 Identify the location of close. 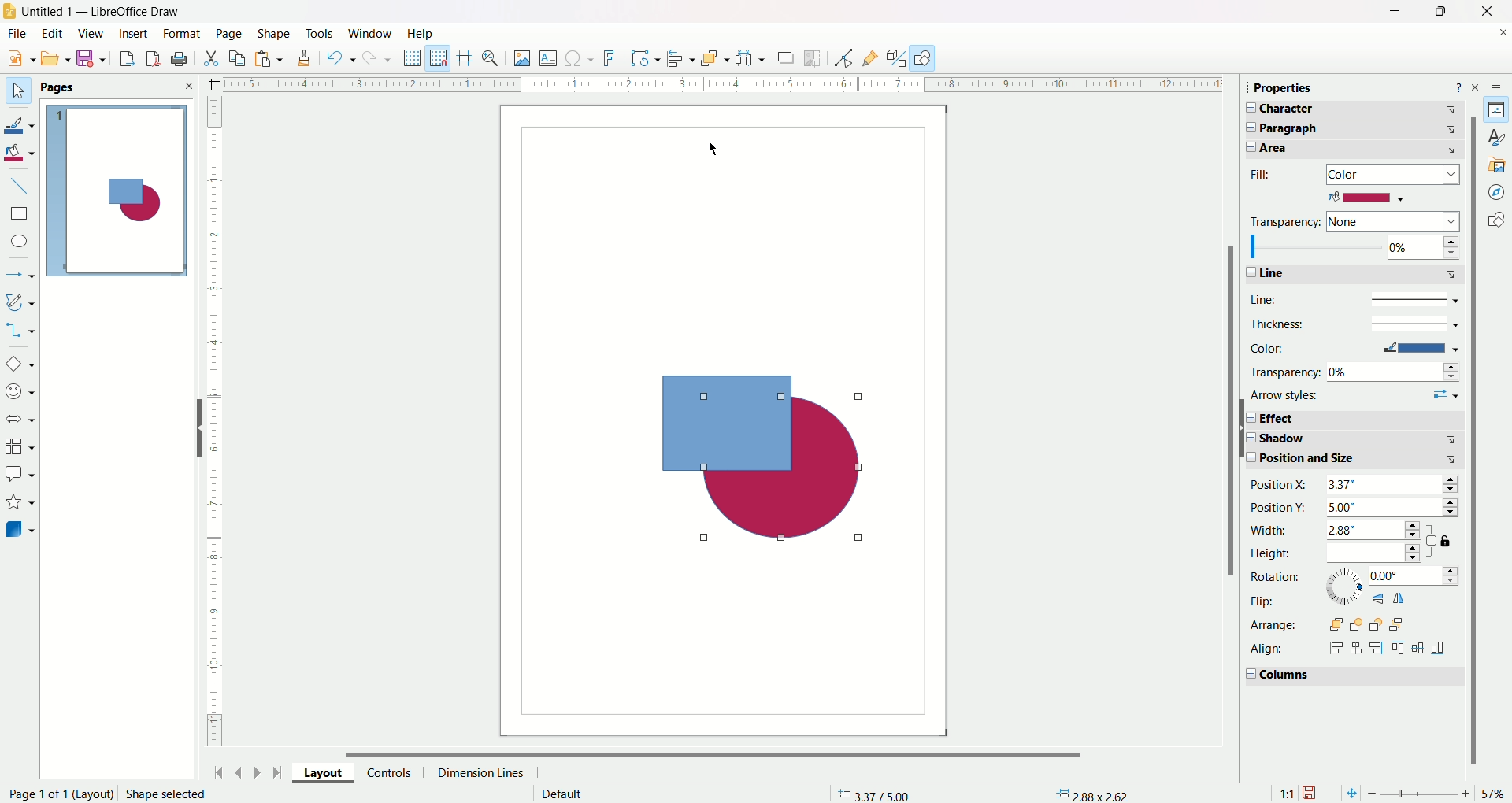
(1499, 35).